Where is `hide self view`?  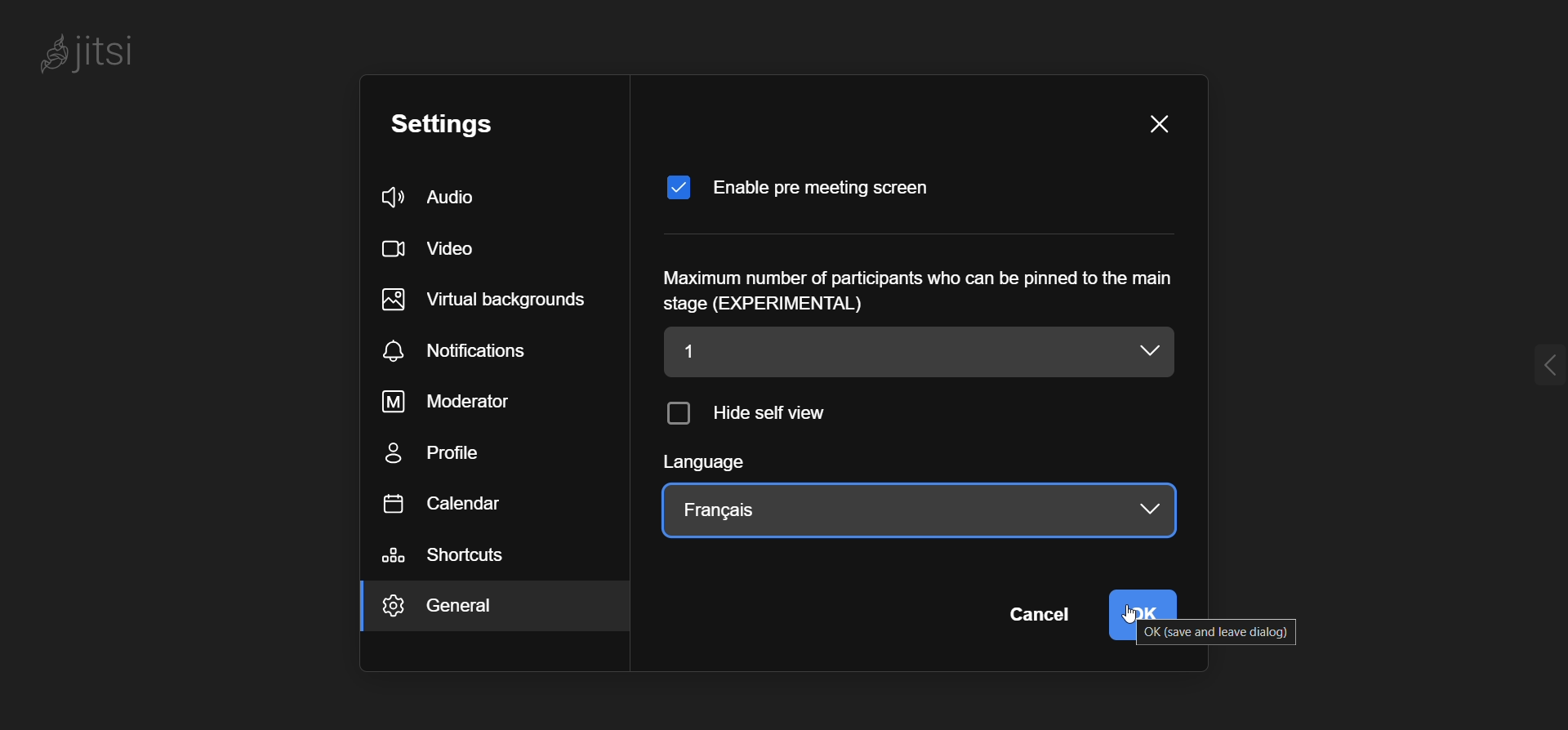 hide self view is located at coordinates (754, 416).